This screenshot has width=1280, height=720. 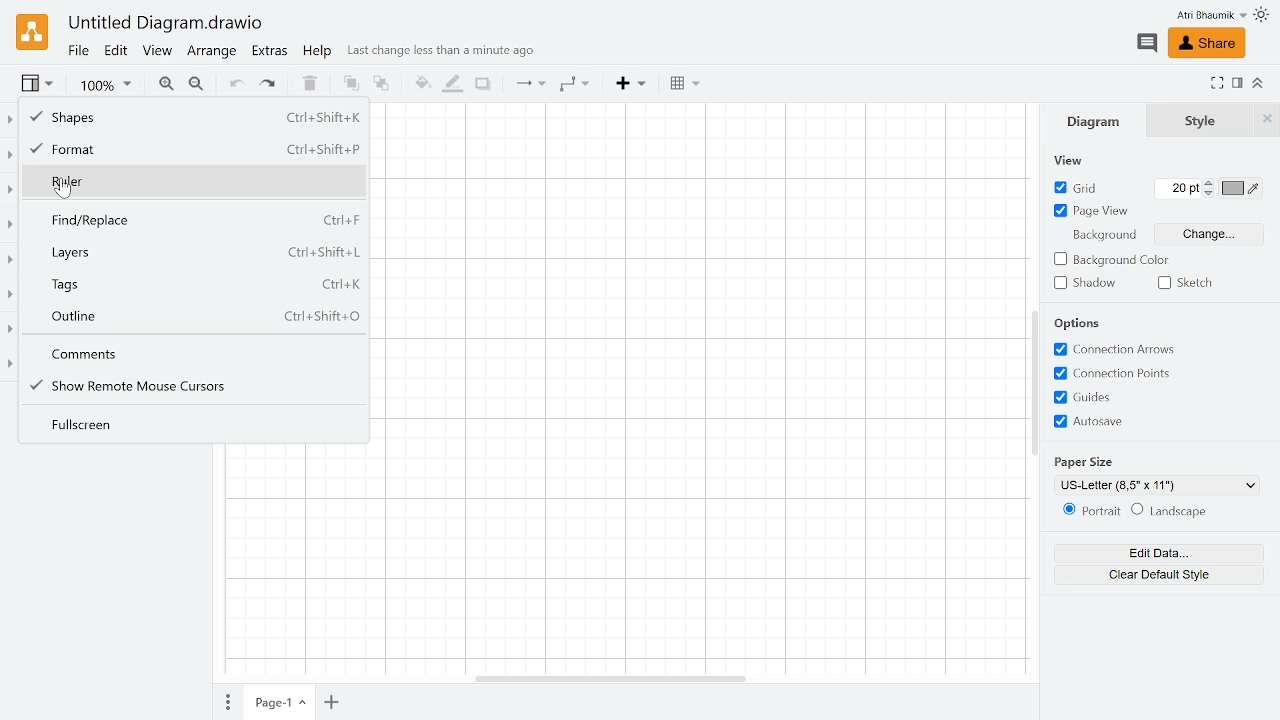 What do you see at coordinates (198, 85) in the screenshot?
I see `Zoom out` at bounding box center [198, 85].